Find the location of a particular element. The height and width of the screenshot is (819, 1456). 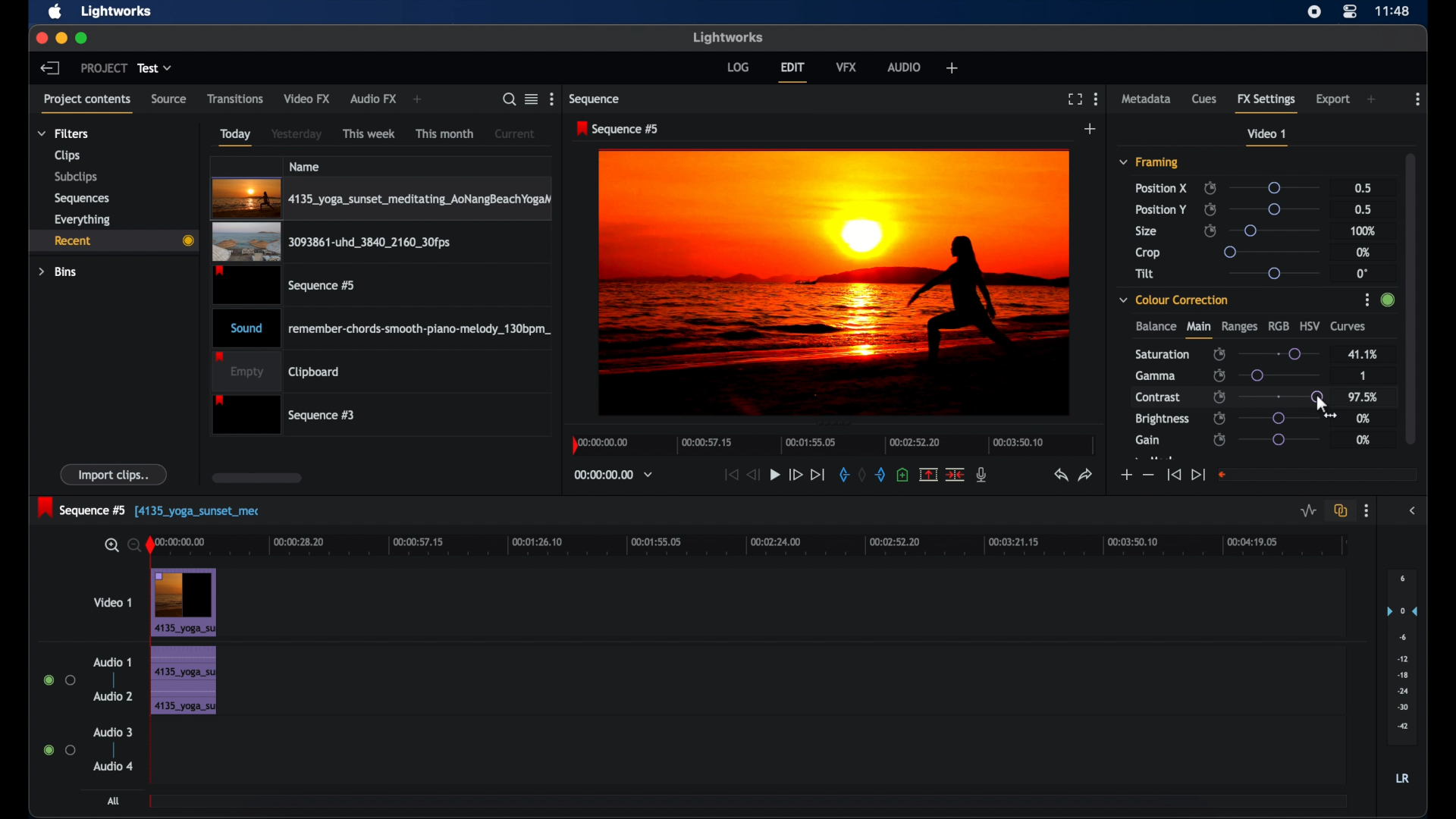

gain is located at coordinates (1147, 440).